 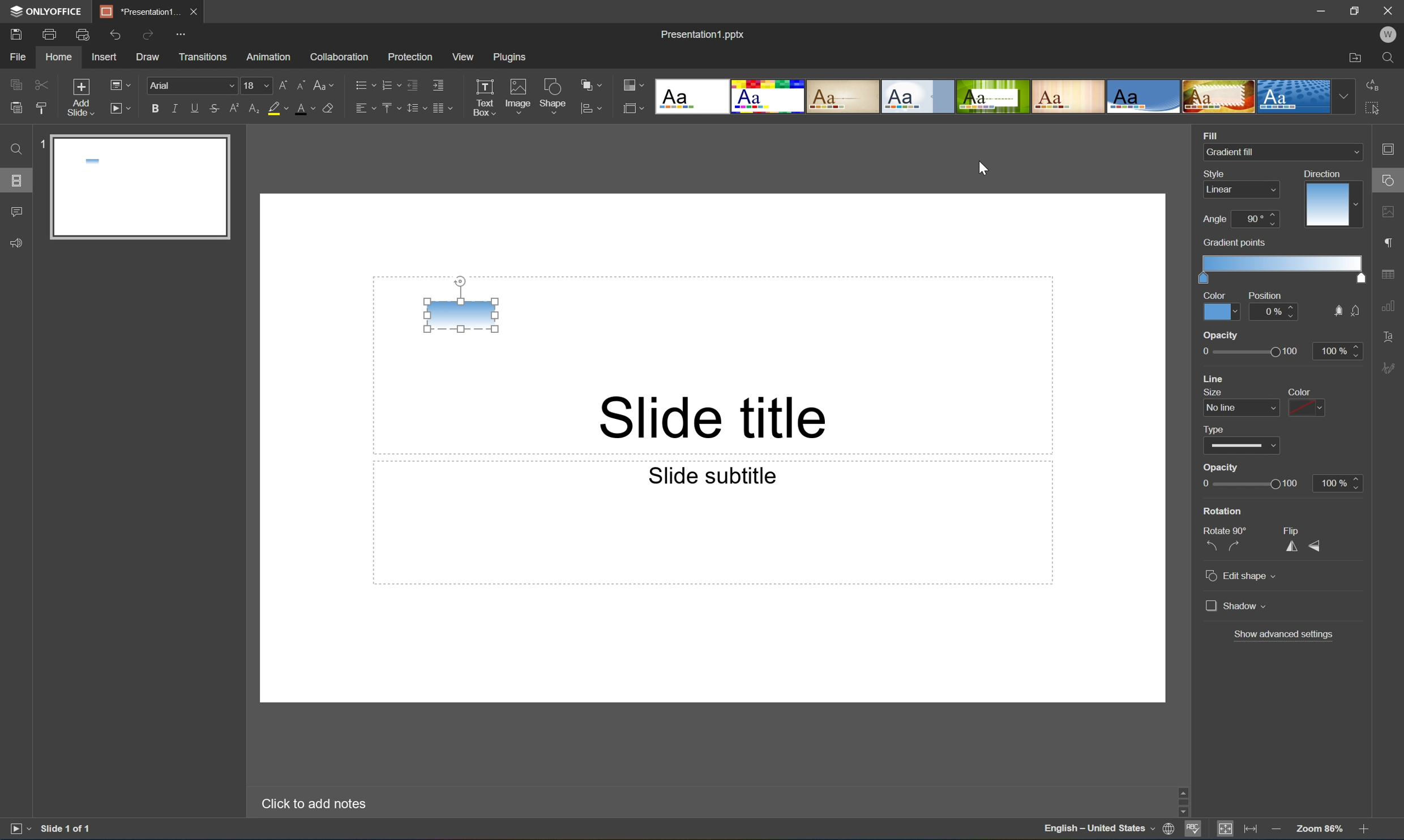 What do you see at coordinates (1388, 306) in the screenshot?
I see `chart settings` at bounding box center [1388, 306].